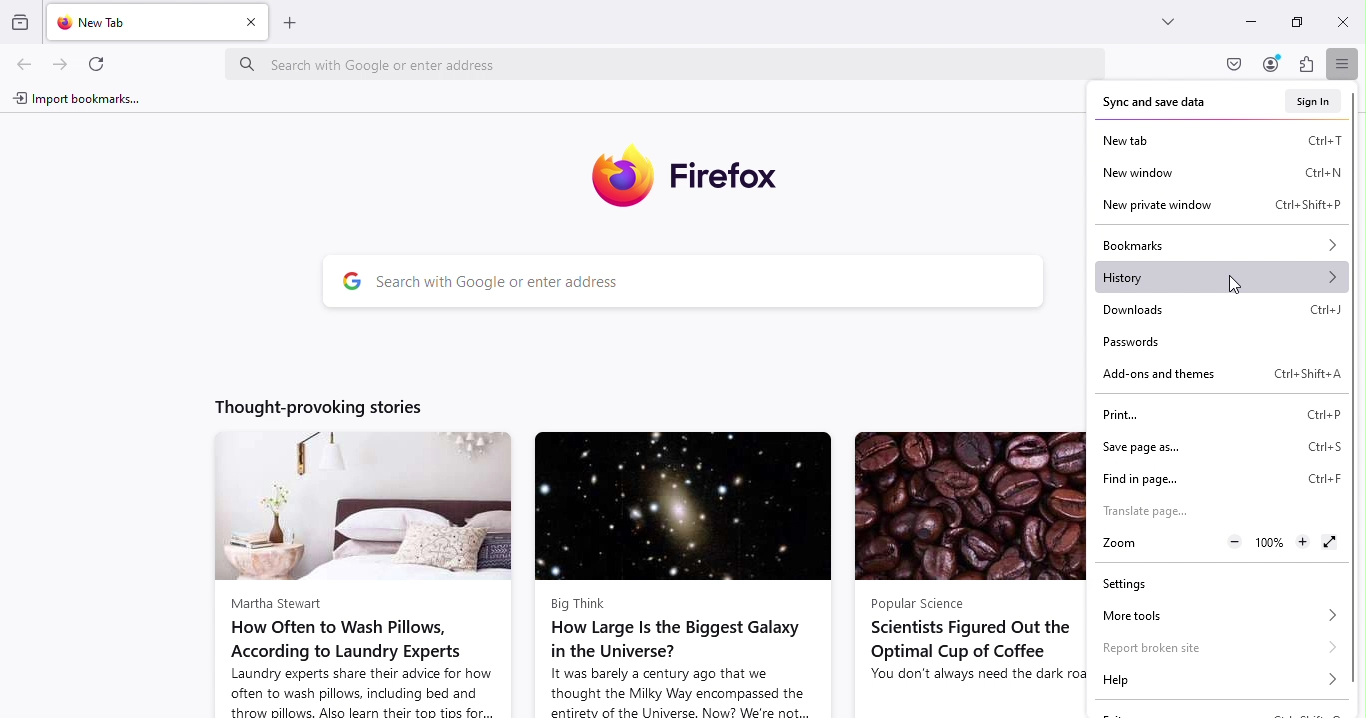 The width and height of the screenshot is (1366, 718). Describe the element at coordinates (141, 24) in the screenshot. I see `New tab` at that location.